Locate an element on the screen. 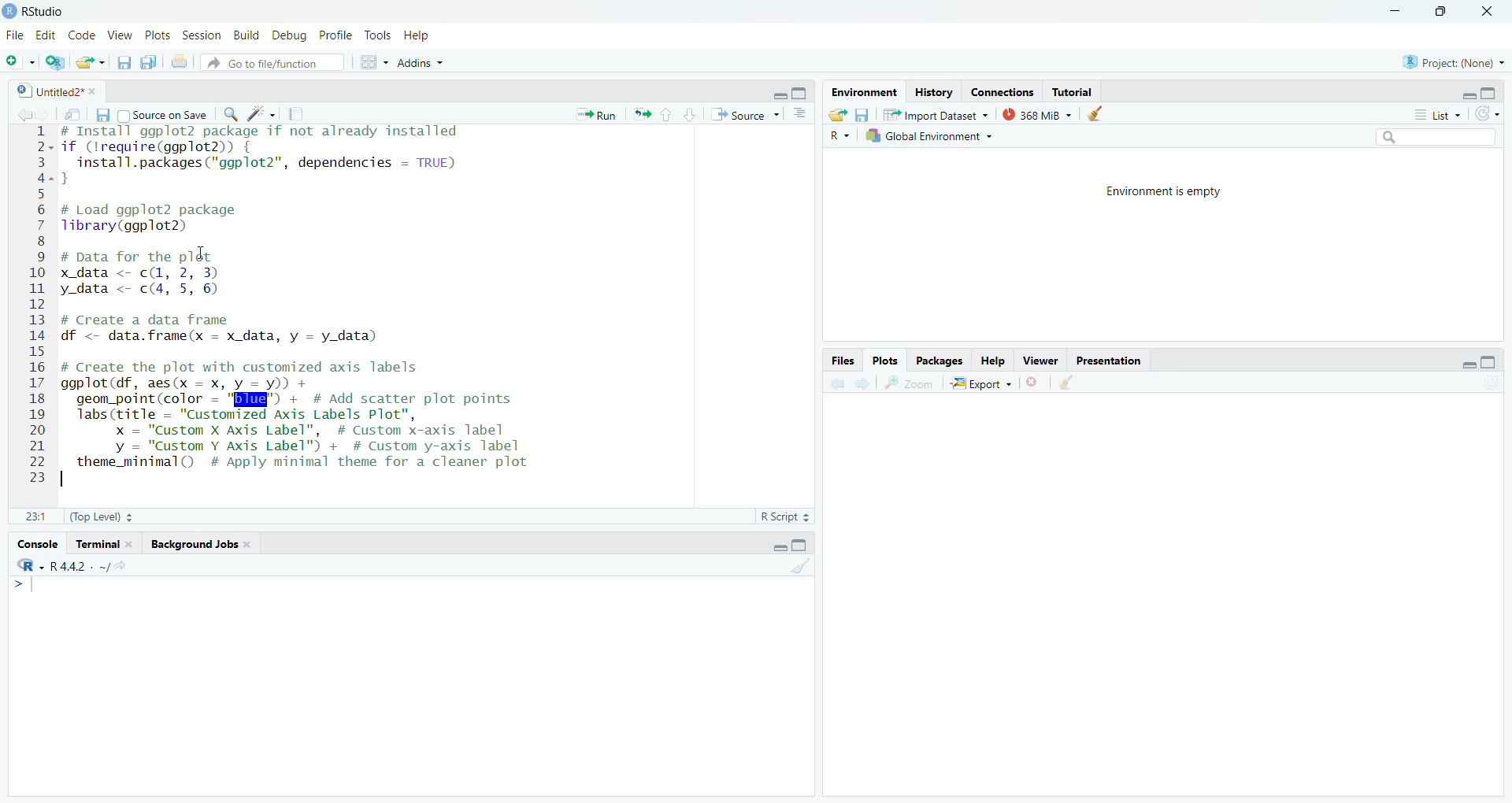  | Untitled2* * is located at coordinates (54, 88).